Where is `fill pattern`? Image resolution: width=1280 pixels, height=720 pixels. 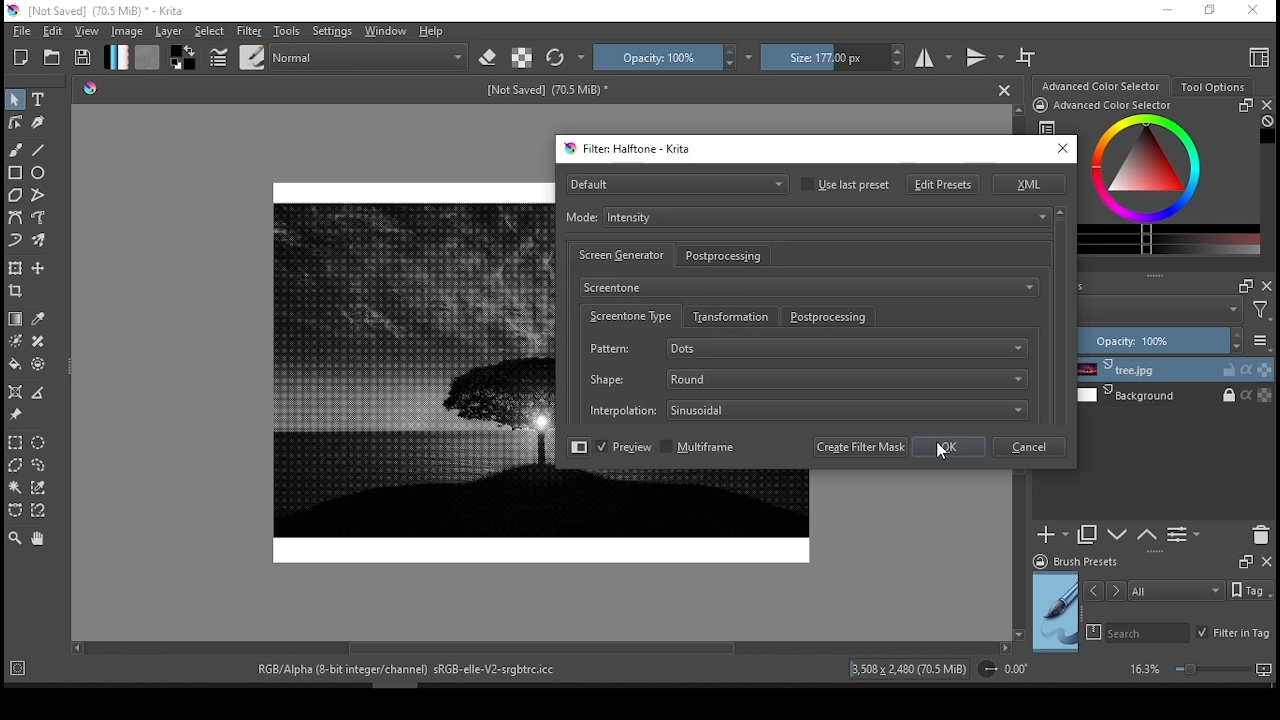
fill pattern is located at coordinates (148, 57).